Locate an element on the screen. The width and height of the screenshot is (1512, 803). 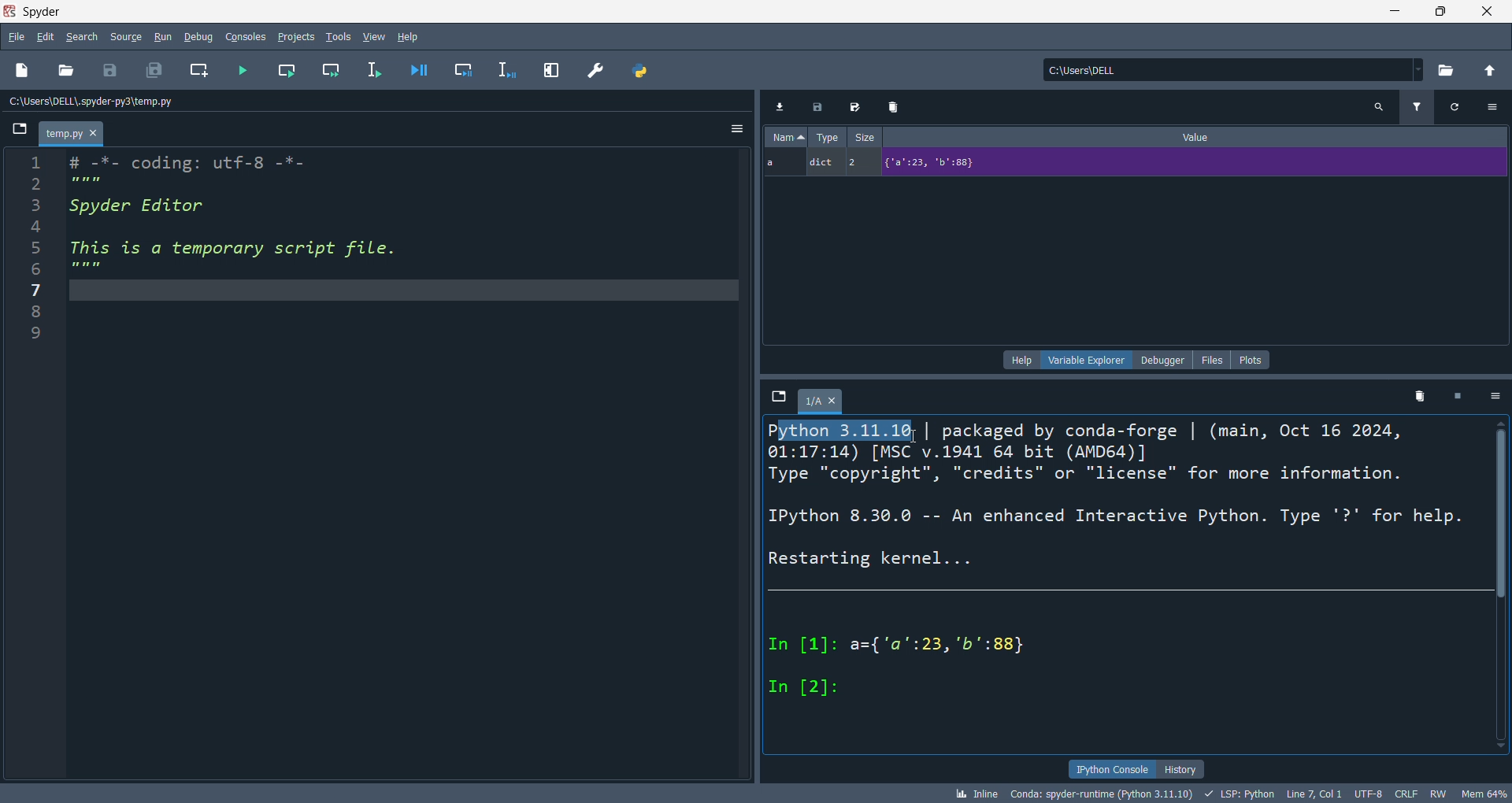
run is located at coordinates (168, 37).